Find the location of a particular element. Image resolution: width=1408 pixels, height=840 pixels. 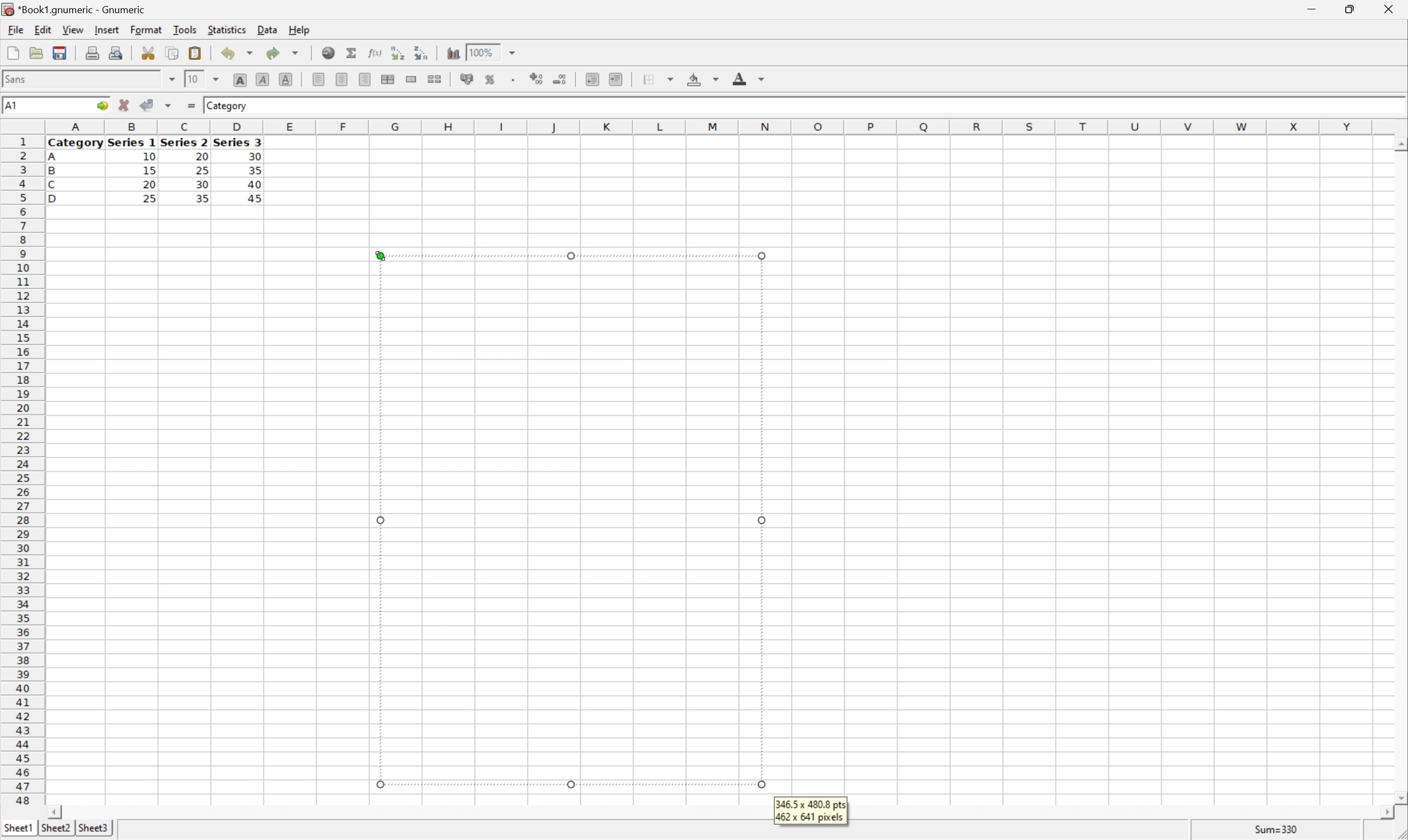

Decrease indent, and align the contents to the left is located at coordinates (592, 79).